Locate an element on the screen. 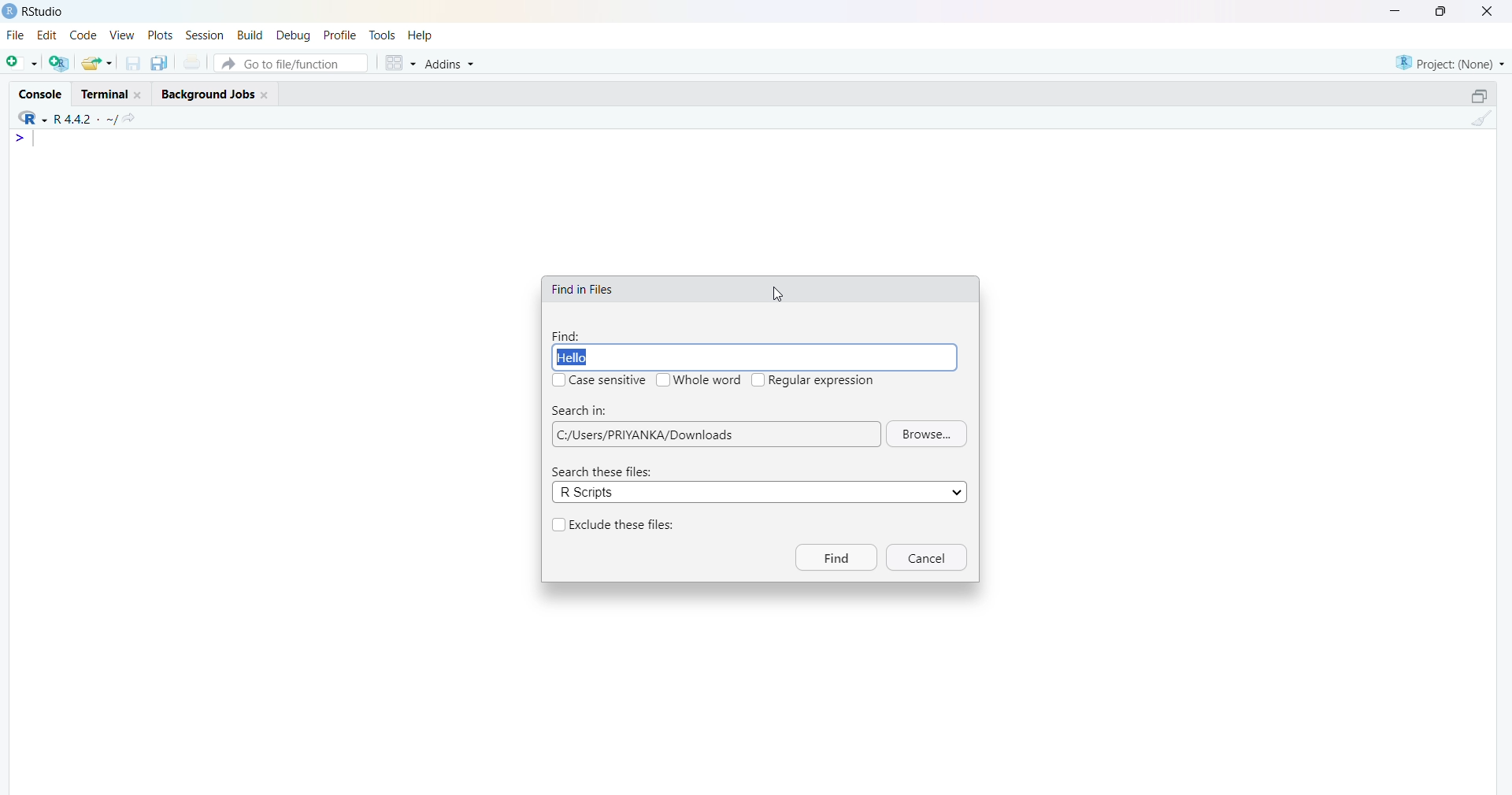  Find in Files is located at coordinates (583, 290).